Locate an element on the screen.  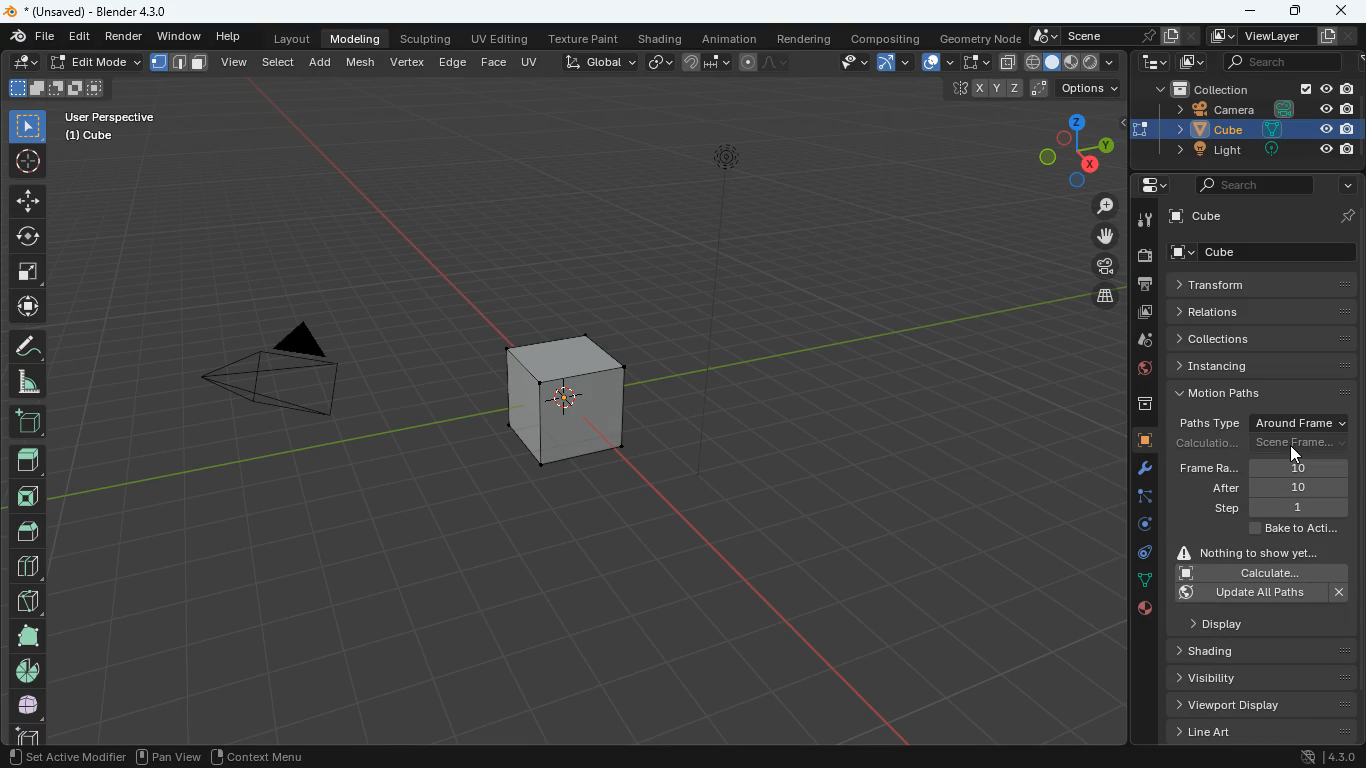
aim is located at coordinates (27, 158).